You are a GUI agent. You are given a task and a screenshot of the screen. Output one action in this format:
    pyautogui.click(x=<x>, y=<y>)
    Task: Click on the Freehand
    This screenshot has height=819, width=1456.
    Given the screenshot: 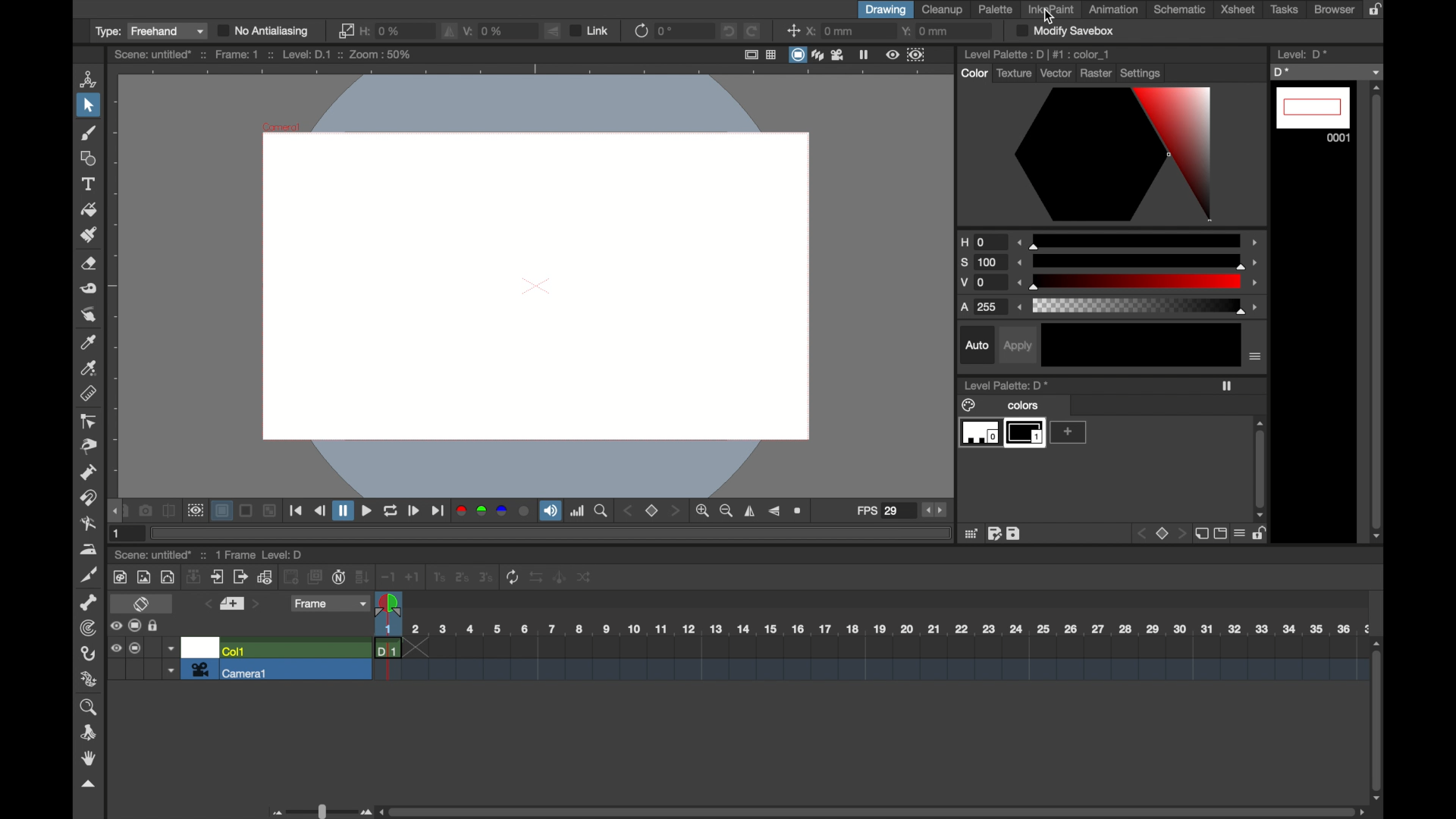 What is the action you would take?
    pyautogui.click(x=168, y=32)
    